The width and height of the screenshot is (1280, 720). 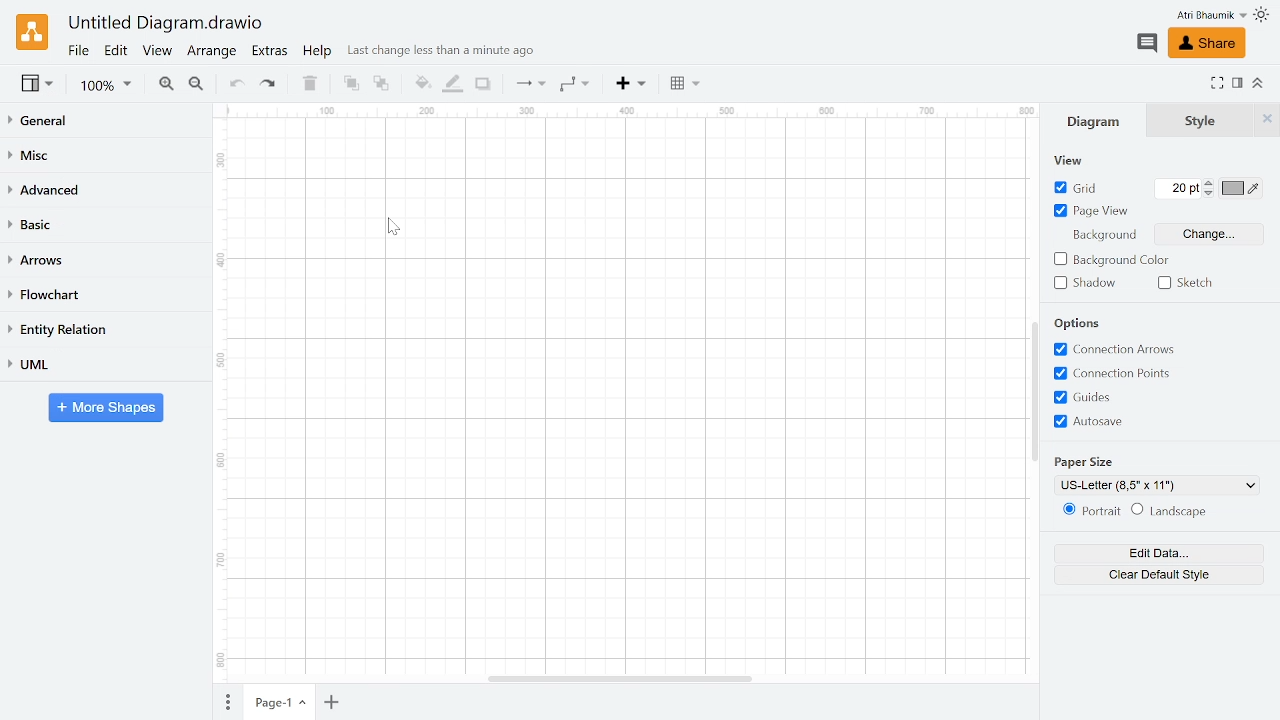 I want to click on Style, so click(x=1202, y=121).